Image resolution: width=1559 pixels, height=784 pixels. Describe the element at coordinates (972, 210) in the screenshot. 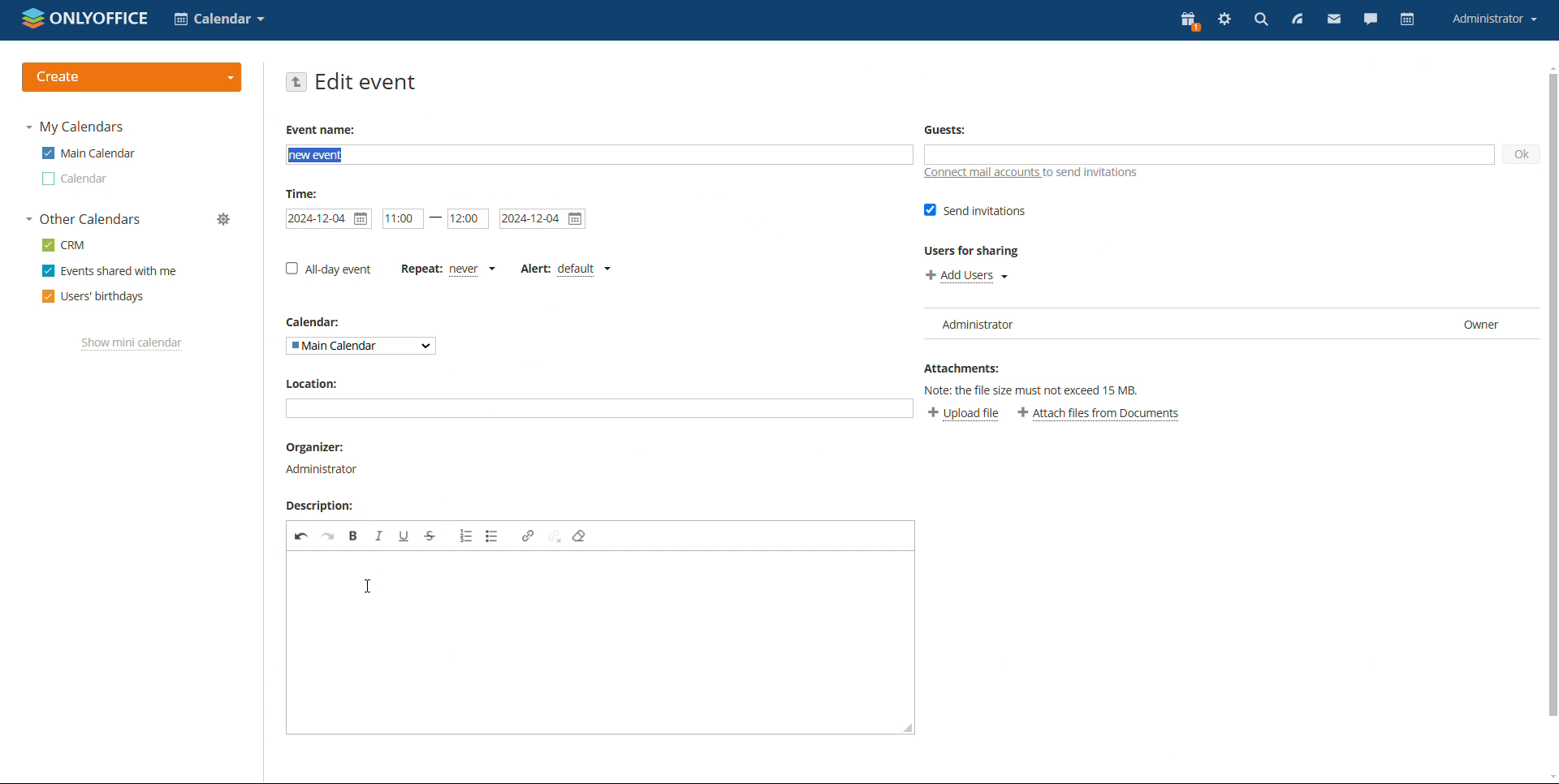

I see `send invitations` at that location.